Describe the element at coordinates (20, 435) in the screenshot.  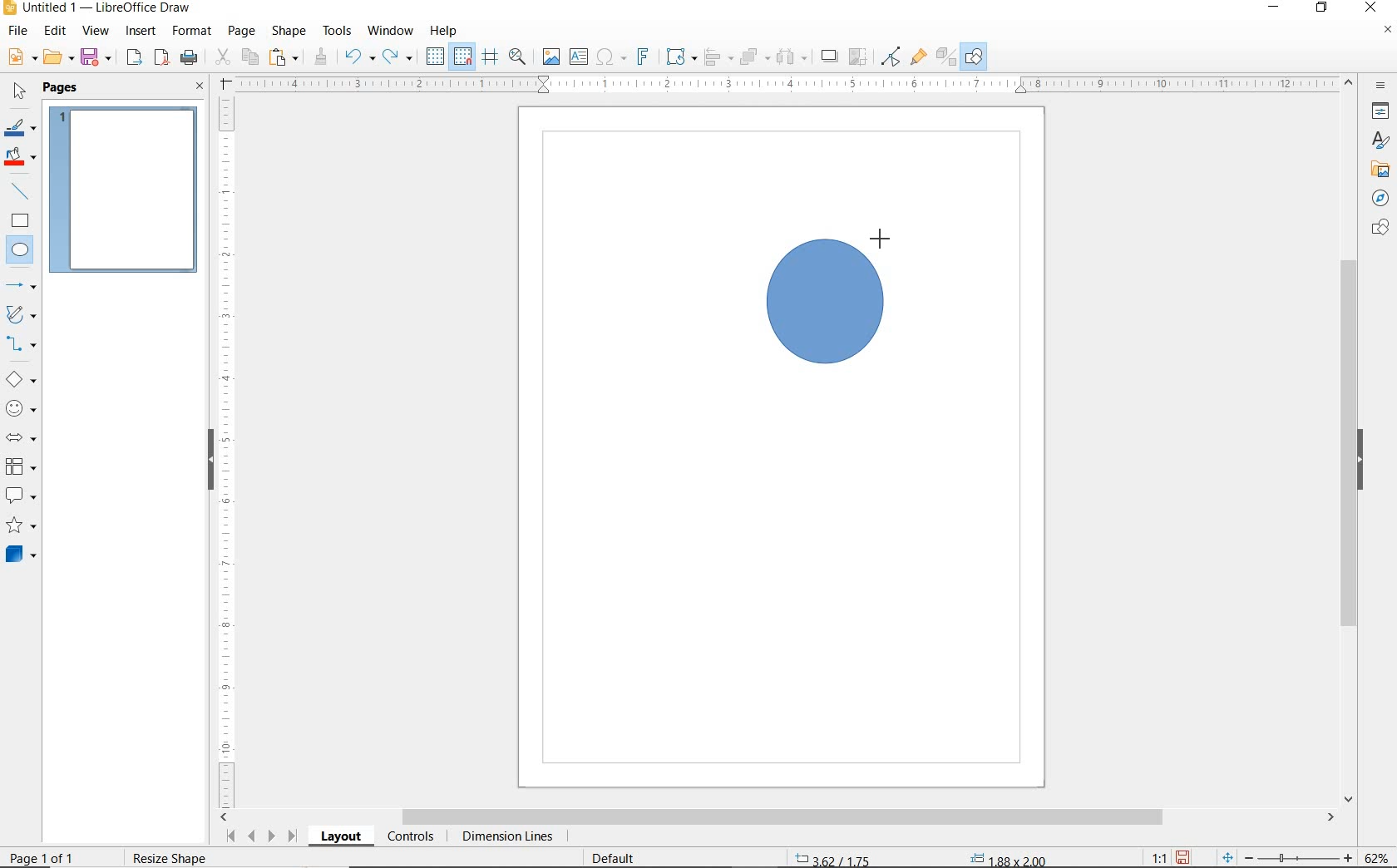
I see `BLOCK ARROWS` at that location.